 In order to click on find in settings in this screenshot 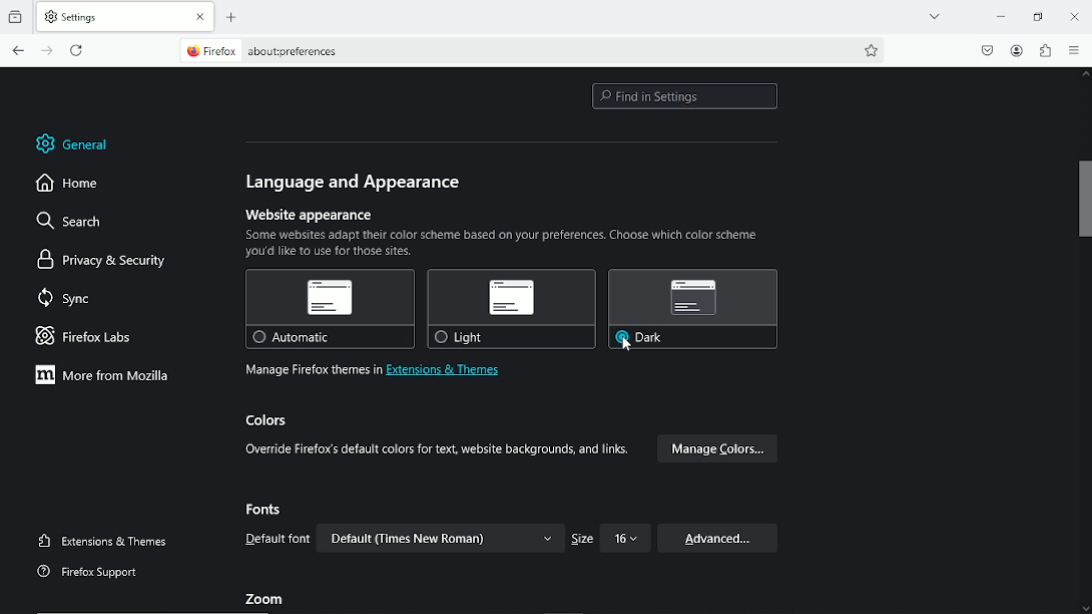, I will do `click(685, 97)`.